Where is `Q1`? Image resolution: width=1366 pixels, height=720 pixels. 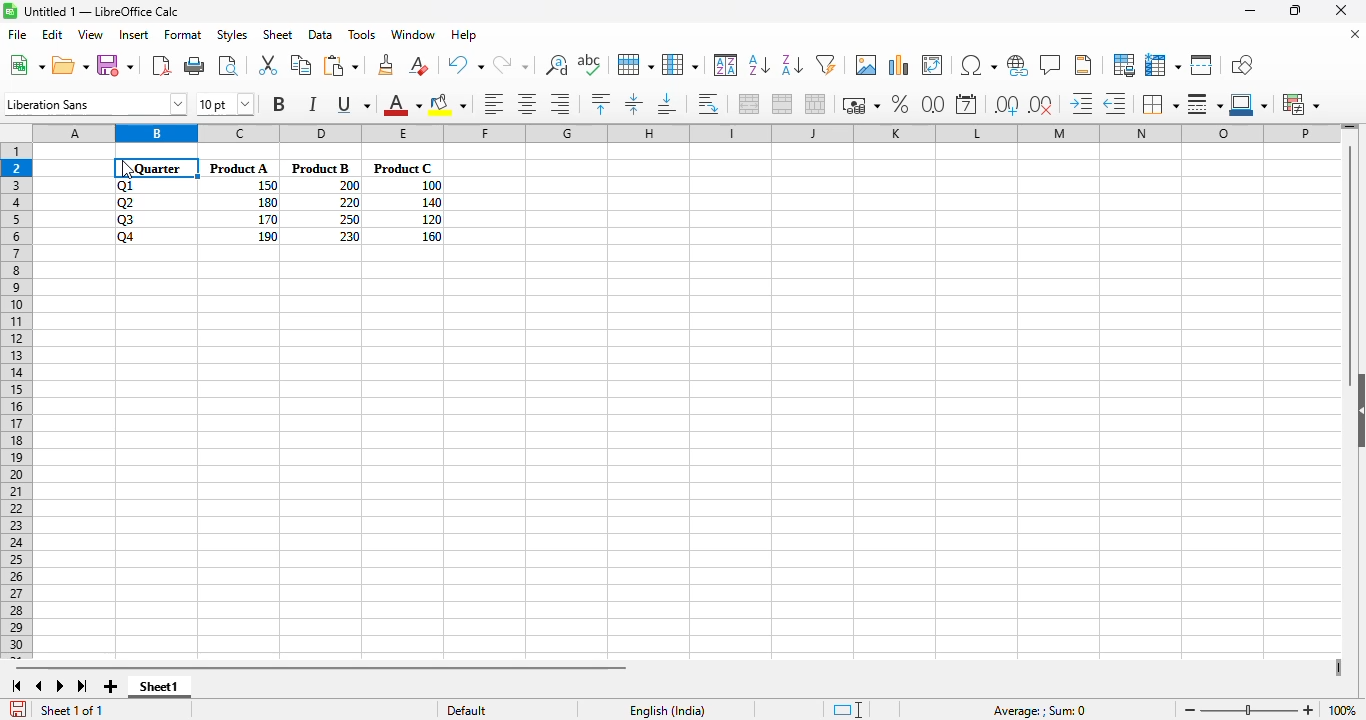
Q1 is located at coordinates (127, 186).